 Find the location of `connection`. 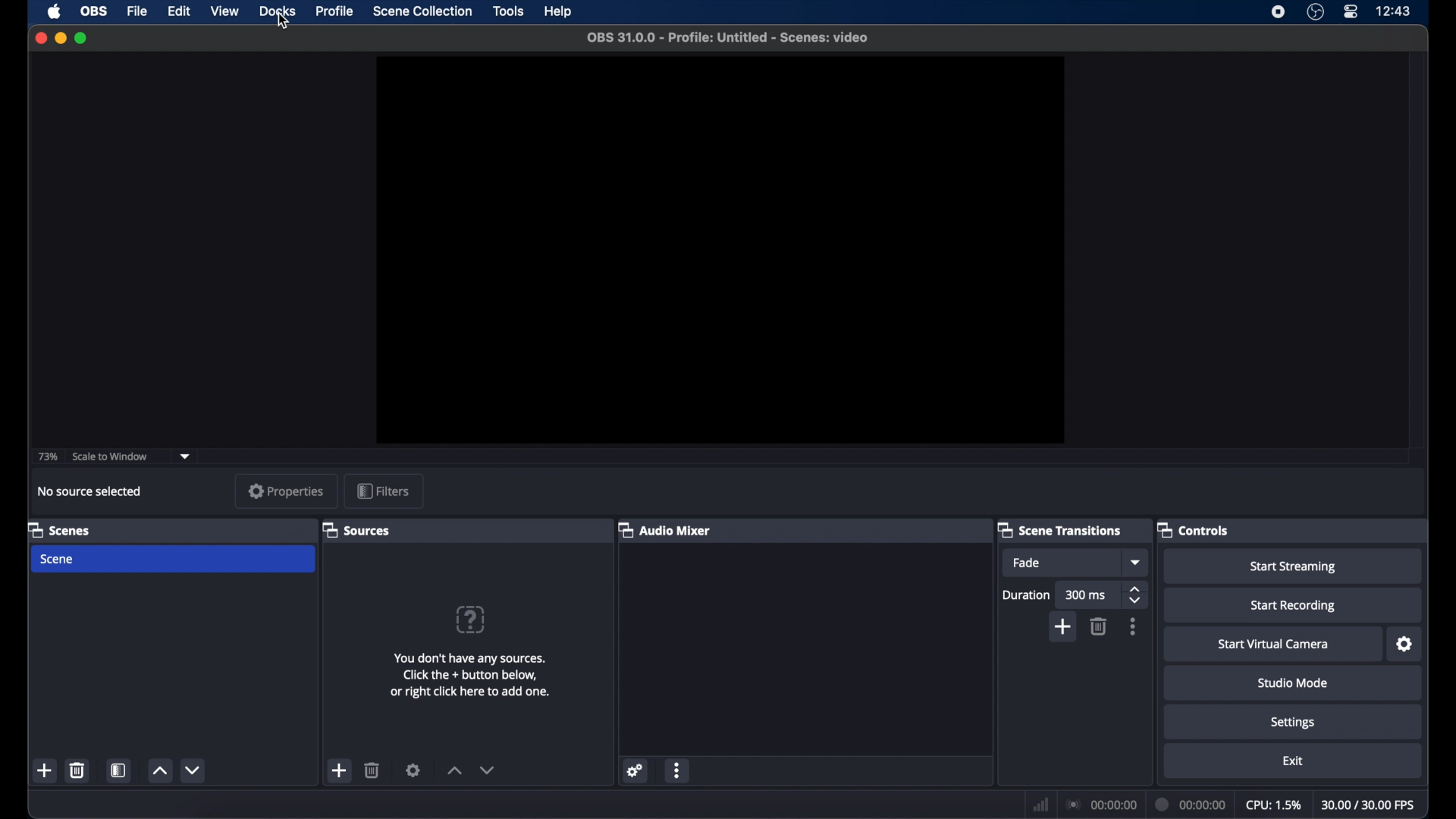

connection is located at coordinates (1103, 804).